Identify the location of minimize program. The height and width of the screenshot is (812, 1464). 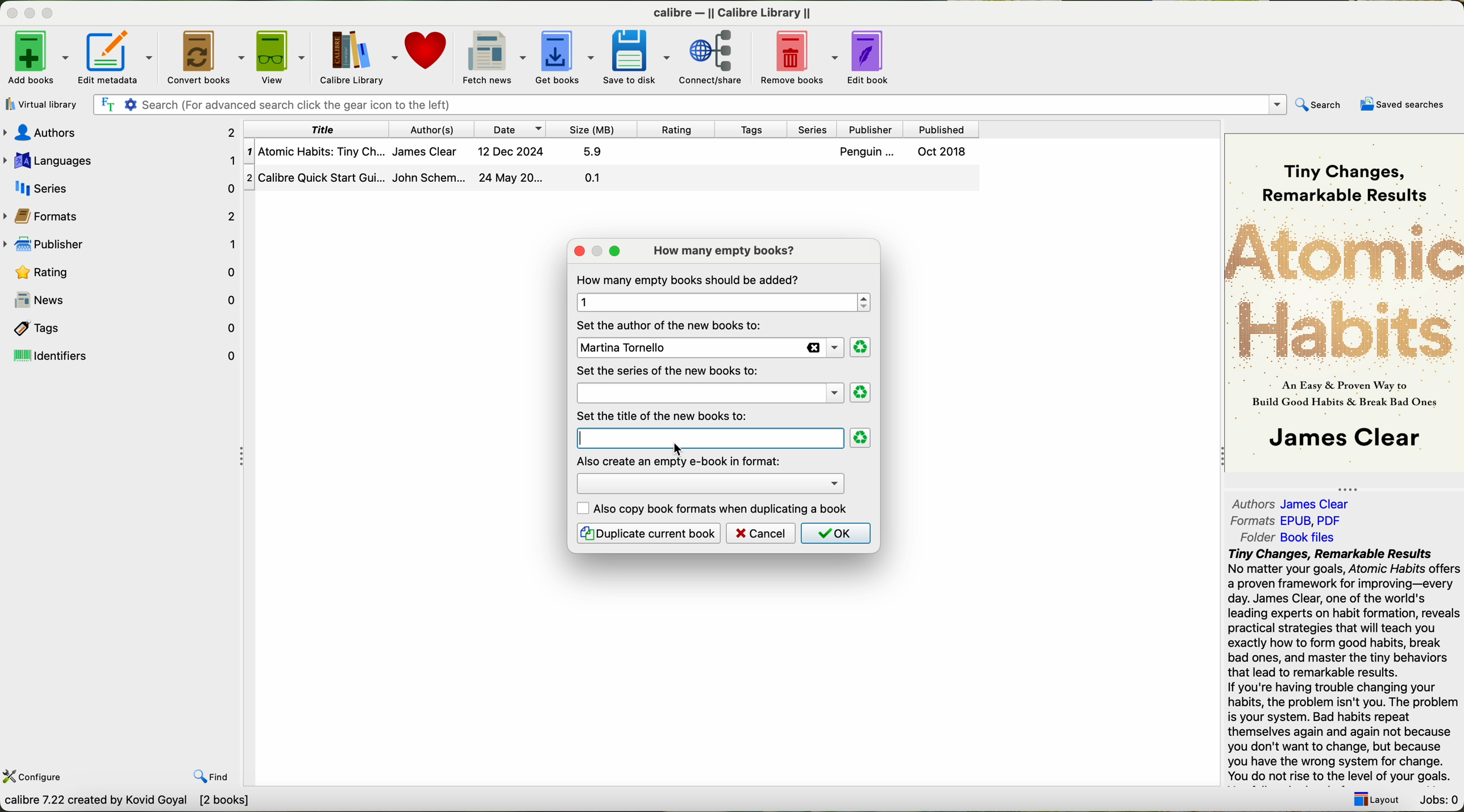
(28, 11).